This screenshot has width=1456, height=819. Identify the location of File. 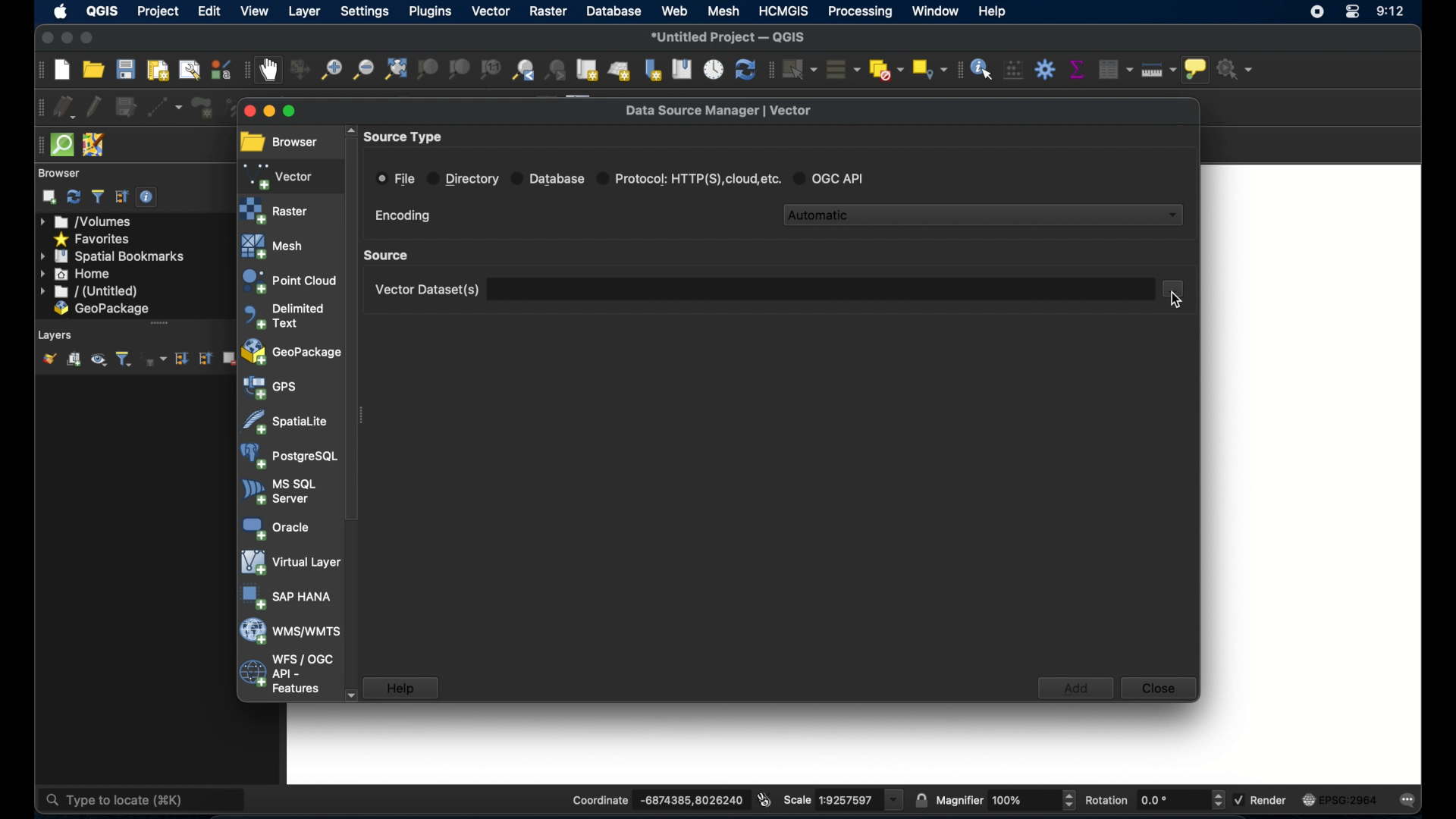
(396, 178).